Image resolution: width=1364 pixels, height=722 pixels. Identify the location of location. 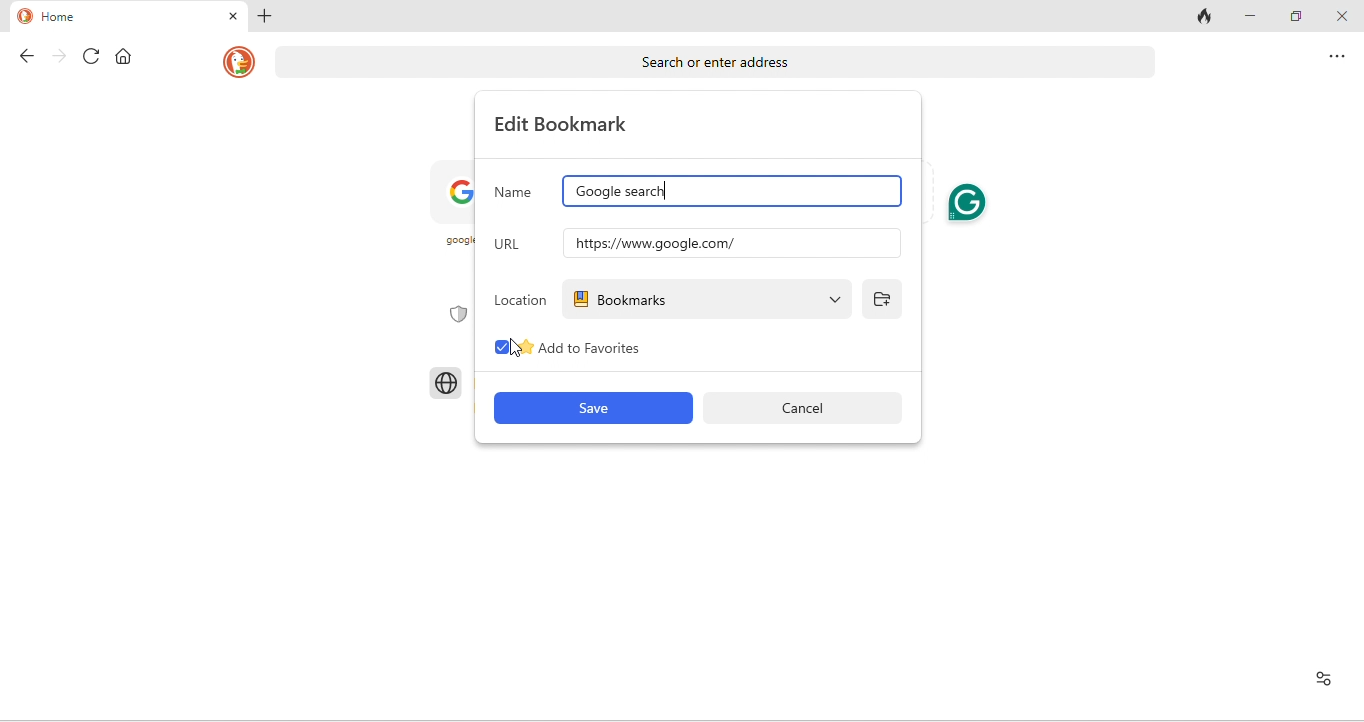
(521, 298).